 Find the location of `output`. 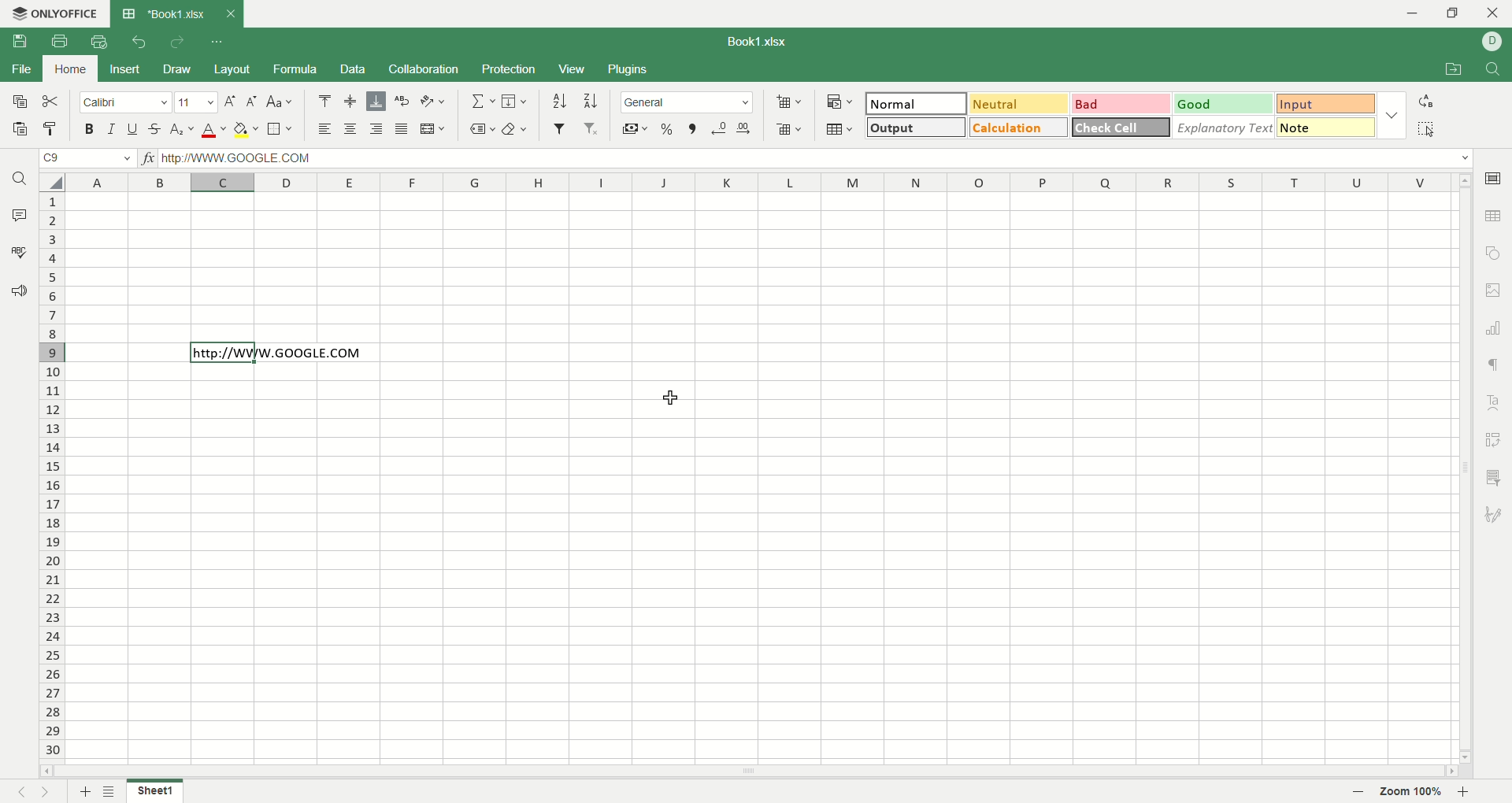

output is located at coordinates (914, 128).